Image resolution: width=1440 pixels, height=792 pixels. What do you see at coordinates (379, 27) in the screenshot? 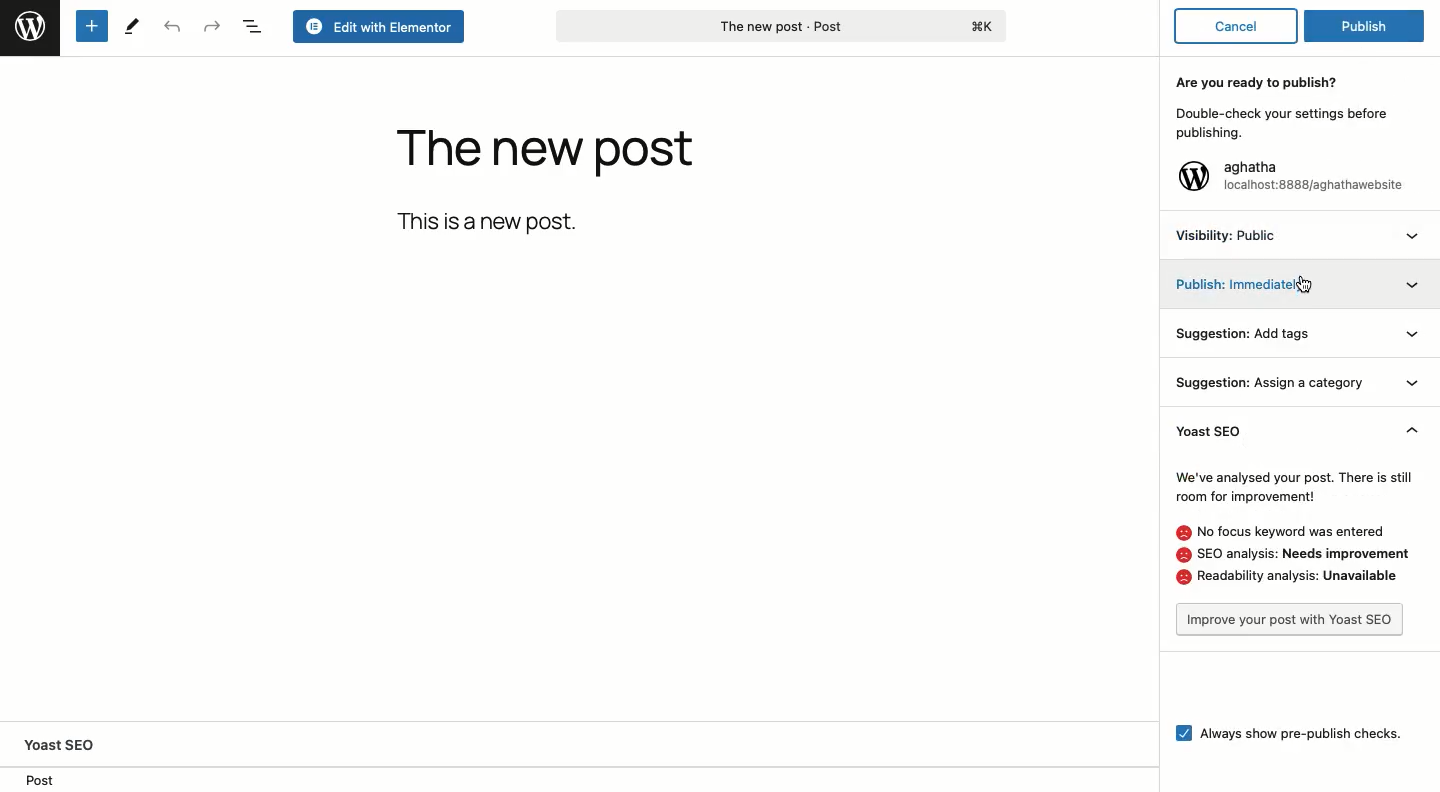
I see `Edit with elementor` at bounding box center [379, 27].